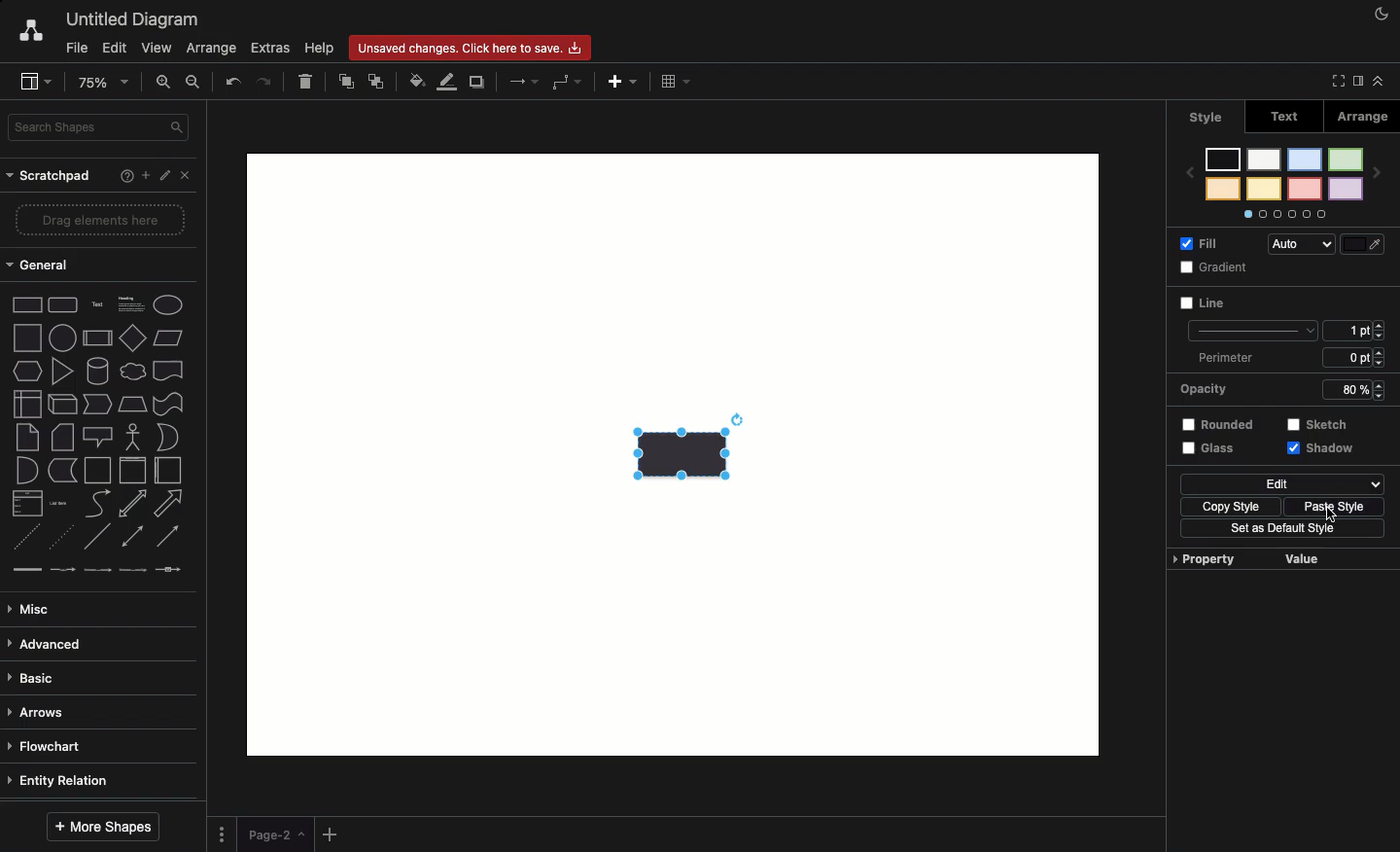  I want to click on bidirectional connector, so click(132, 534).